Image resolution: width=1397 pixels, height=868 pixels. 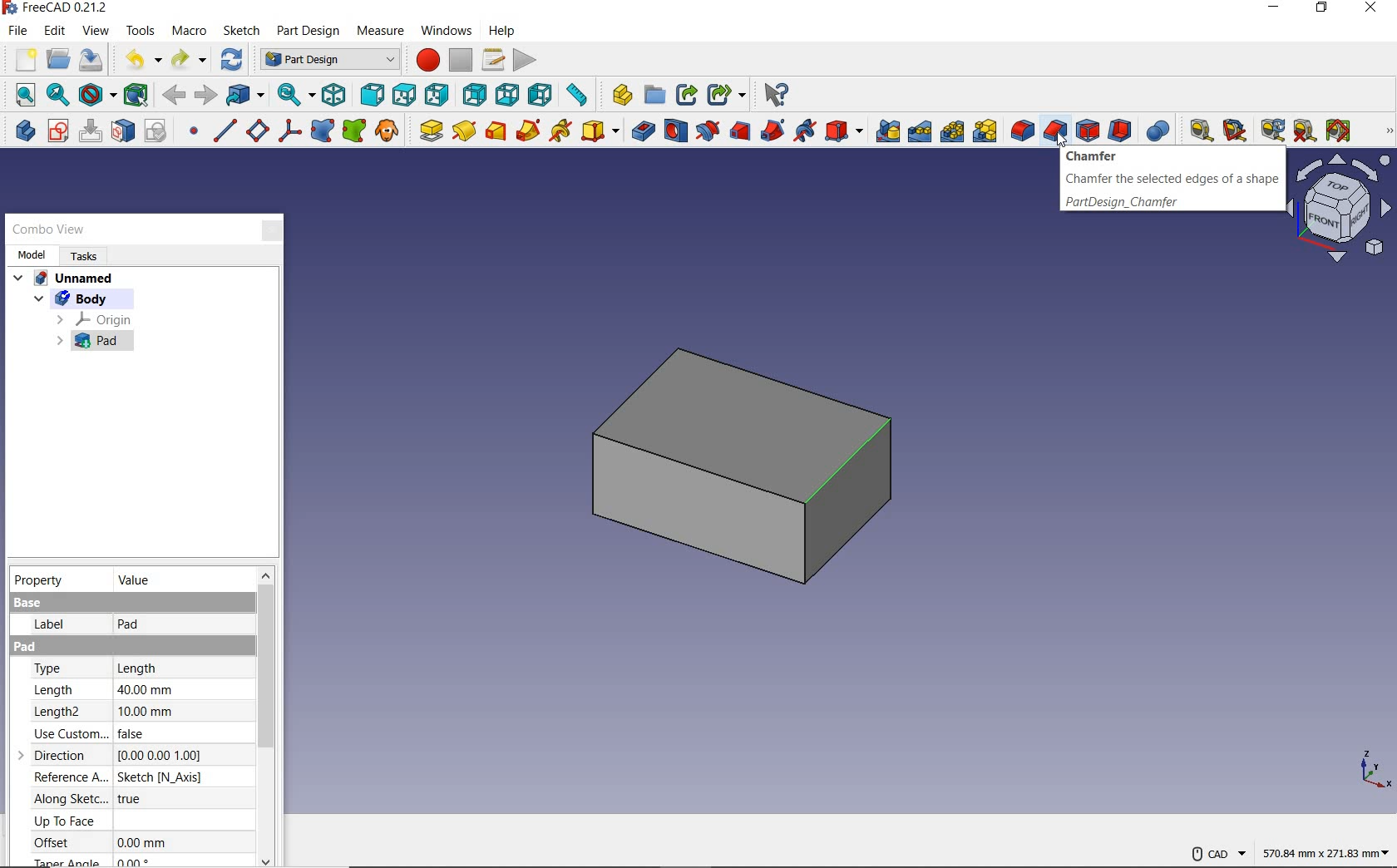 I want to click on additive pipe, so click(x=529, y=131).